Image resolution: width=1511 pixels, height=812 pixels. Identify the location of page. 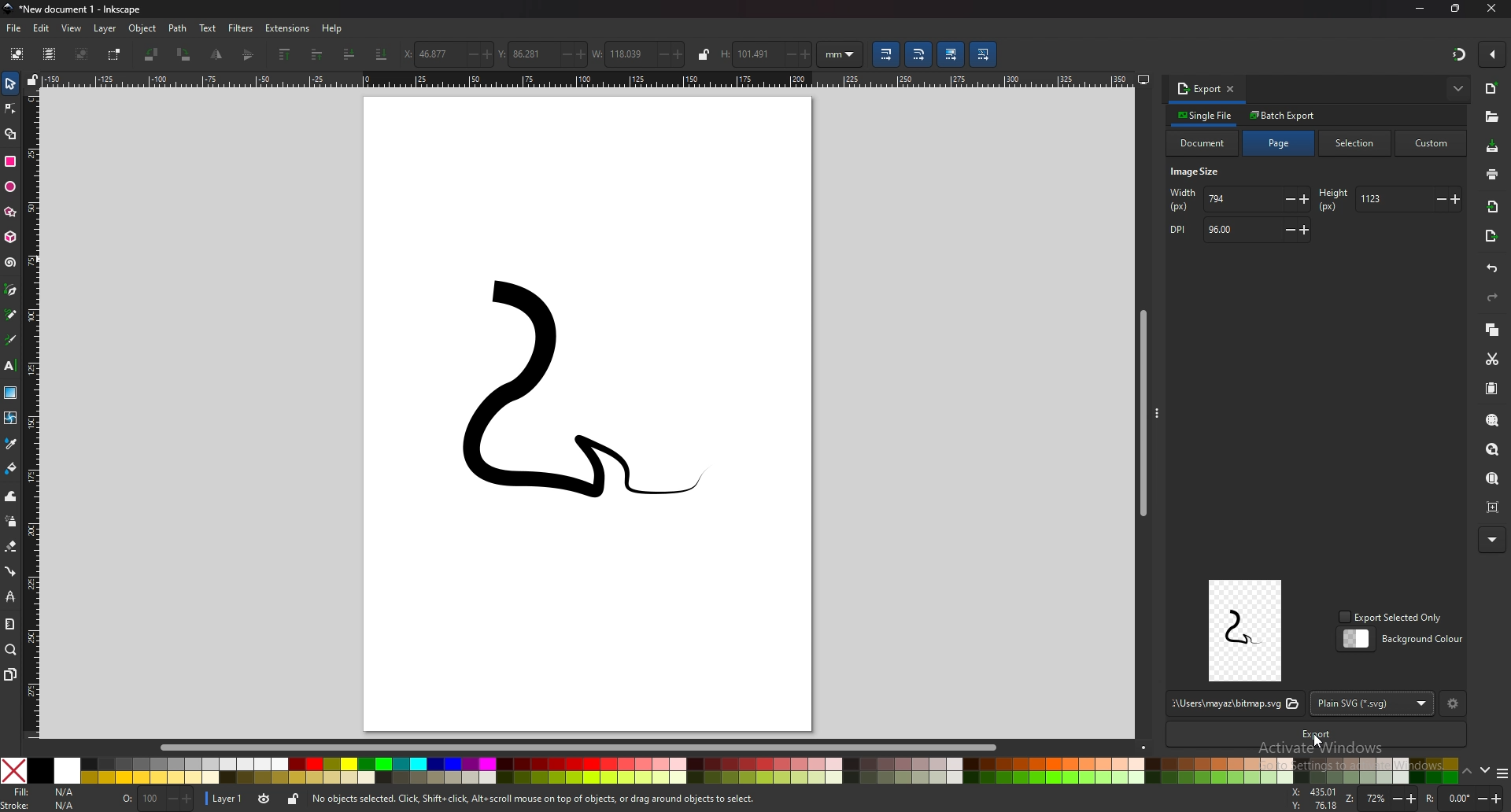
(1280, 143).